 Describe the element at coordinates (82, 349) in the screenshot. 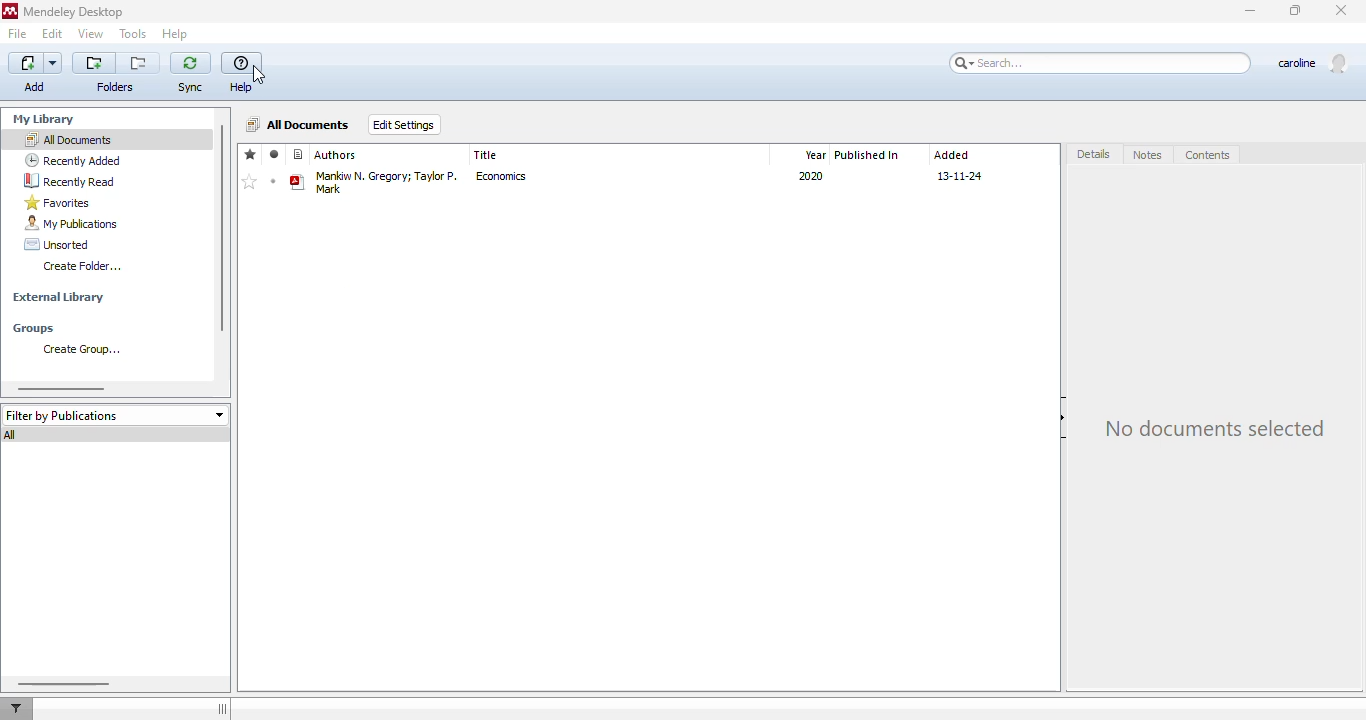

I see `create group...` at that location.